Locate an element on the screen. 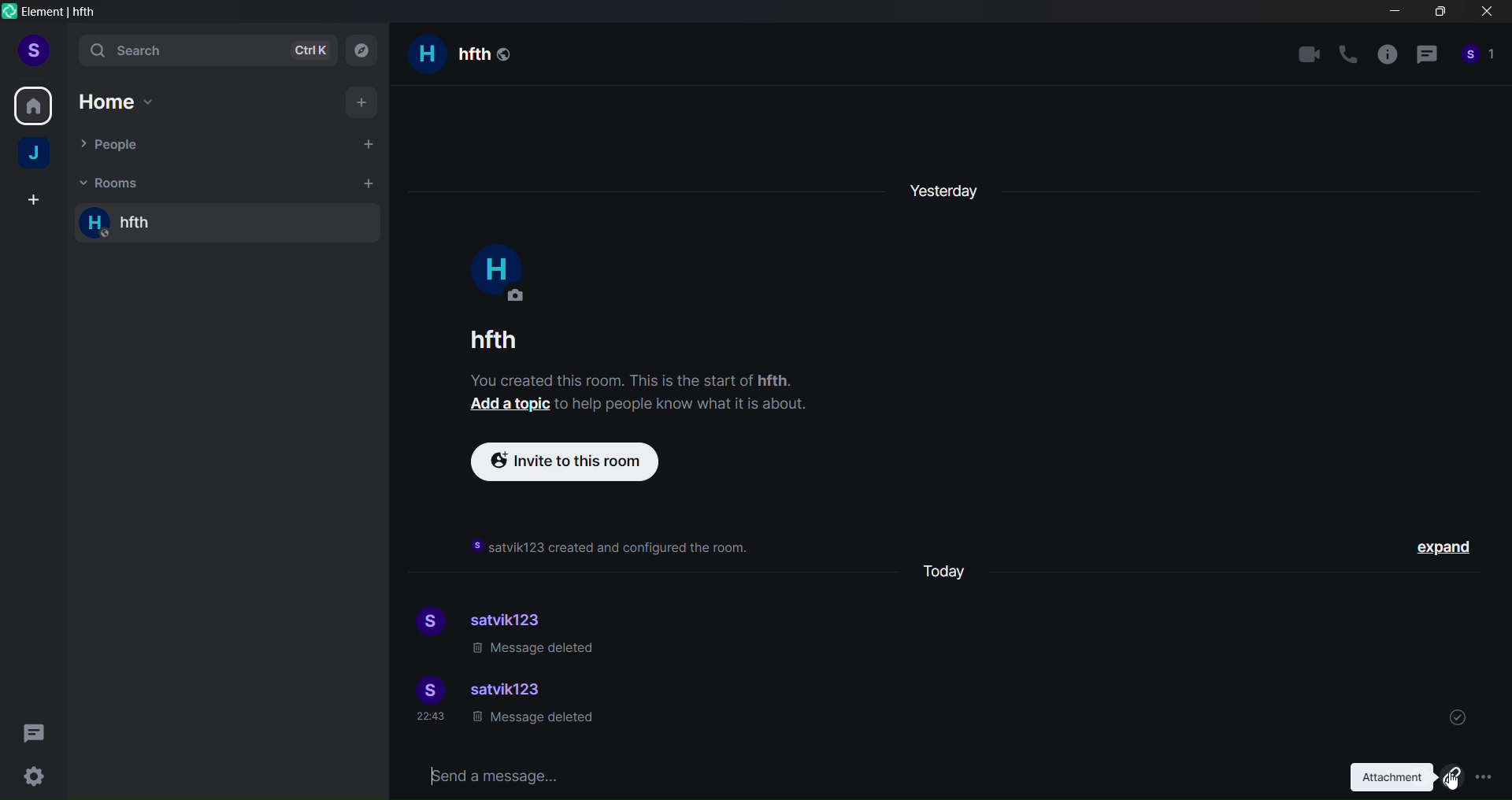 The height and width of the screenshot is (800, 1512). satvik123 is located at coordinates (510, 691).